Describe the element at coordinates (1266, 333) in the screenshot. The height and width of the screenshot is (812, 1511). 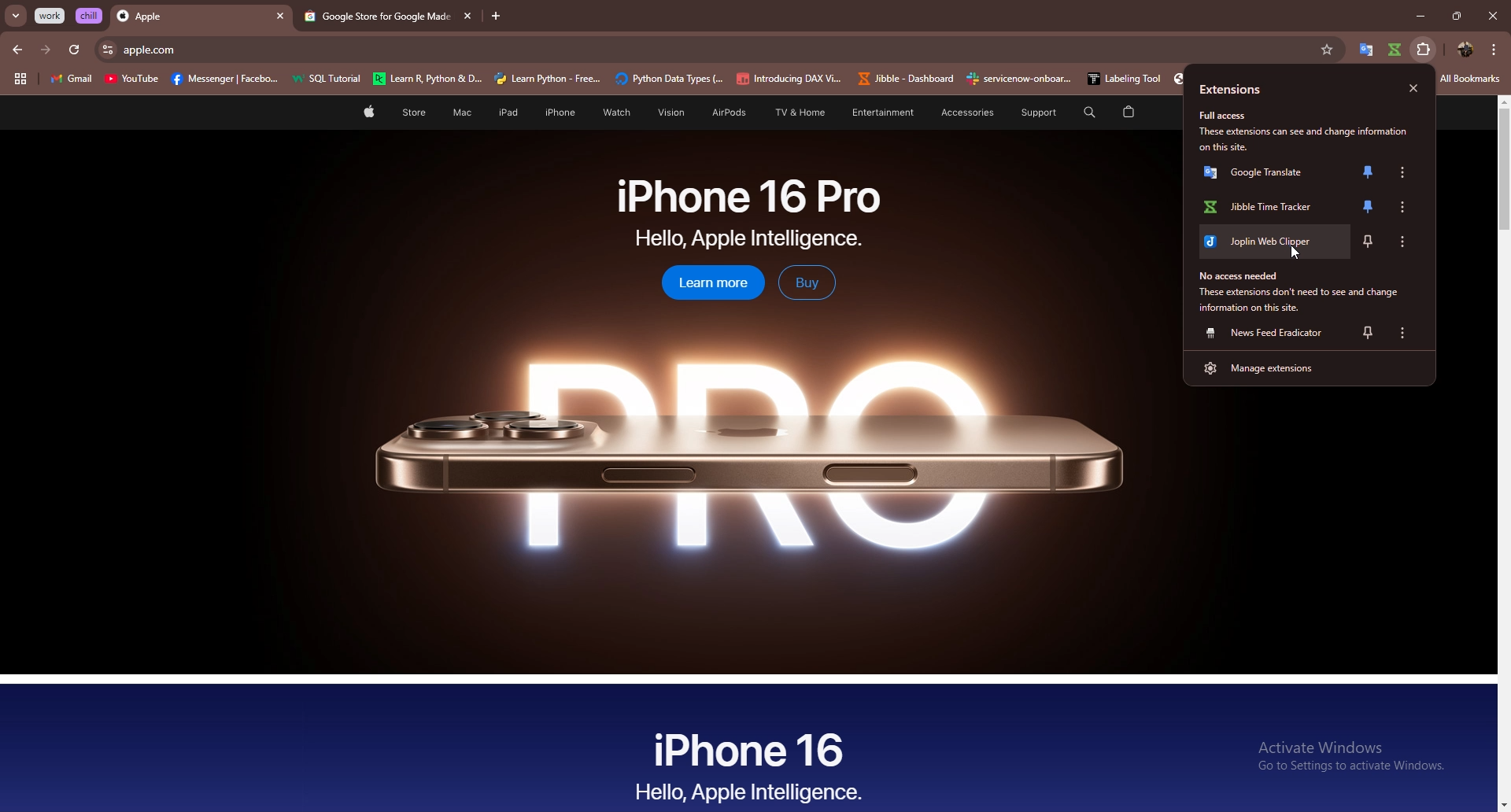
I see `News Feed Eradicator` at that location.